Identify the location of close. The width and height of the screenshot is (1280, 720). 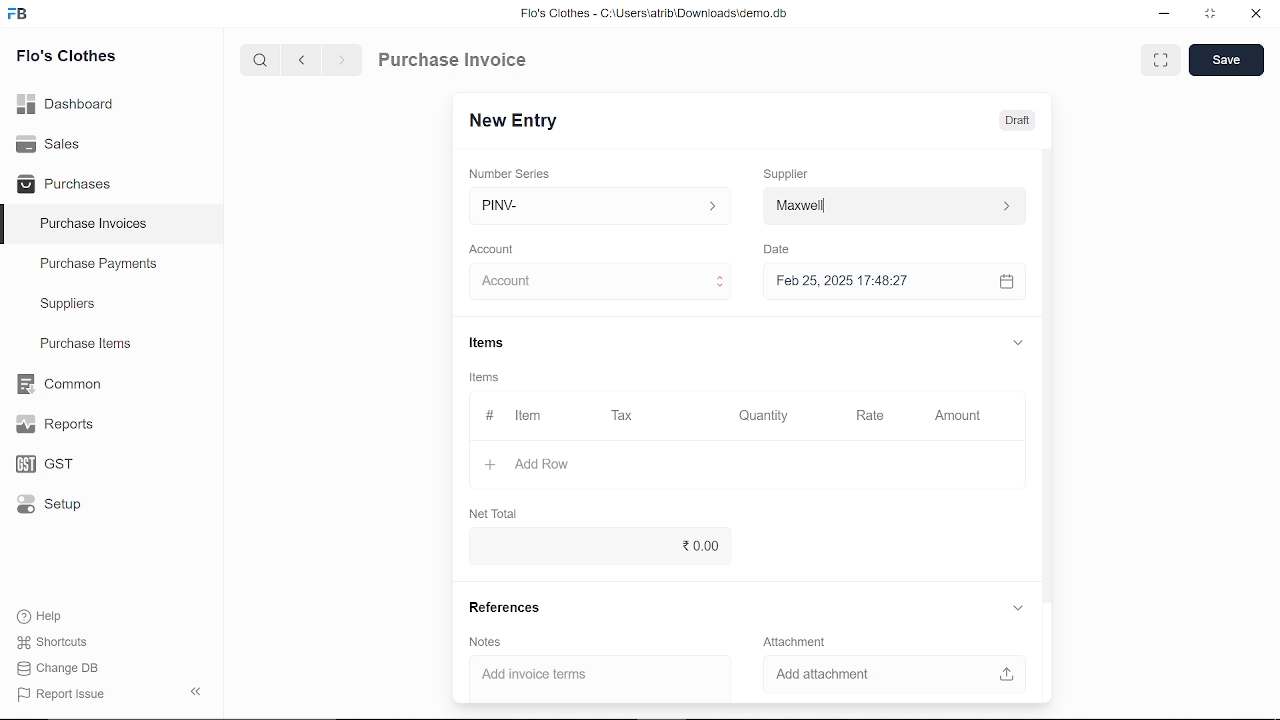
(1254, 16).